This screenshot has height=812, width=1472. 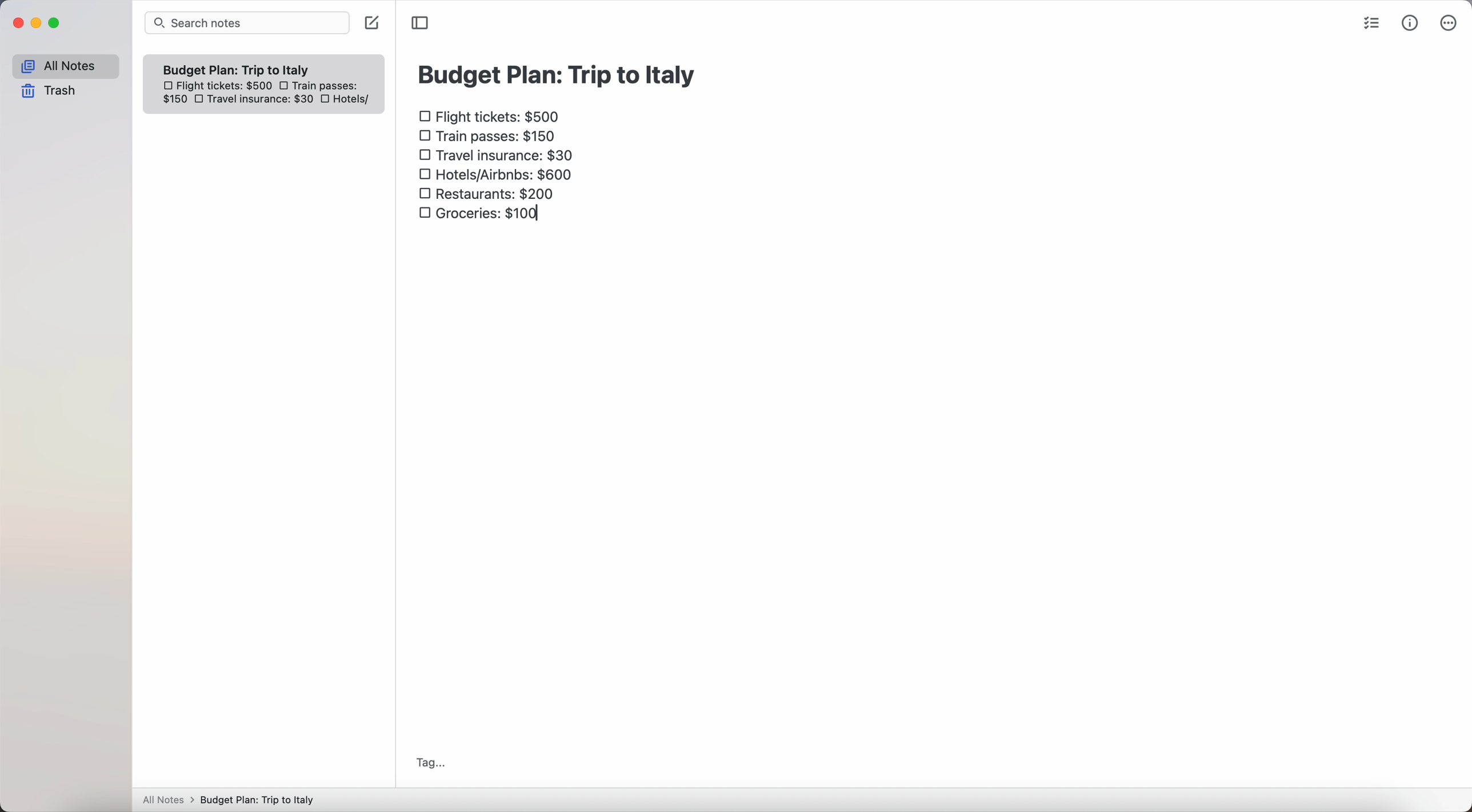 What do you see at coordinates (421, 22) in the screenshot?
I see `toggle sidebar` at bounding box center [421, 22].